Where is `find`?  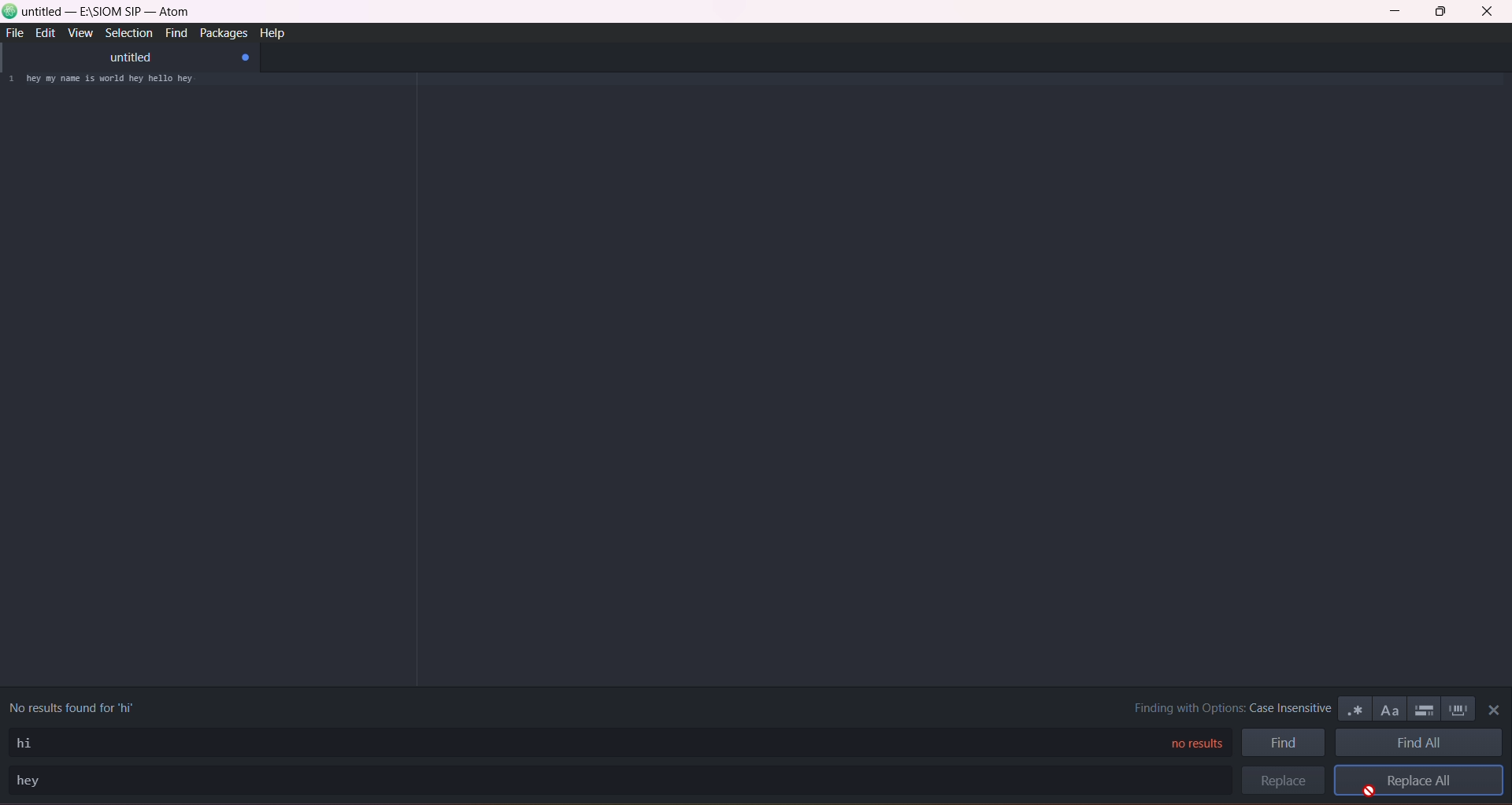
find is located at coordinates (1284, 742).